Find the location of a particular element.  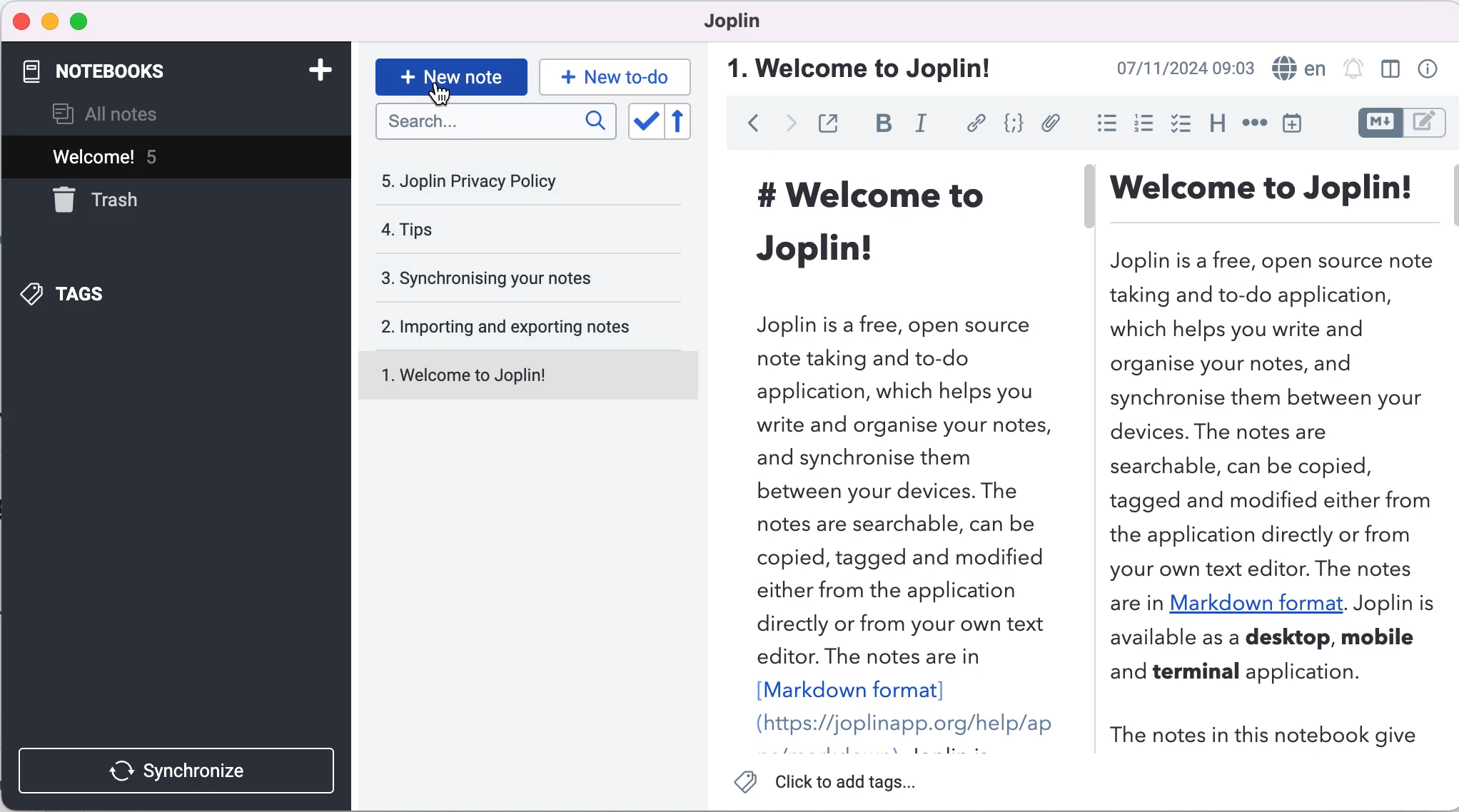

synchronising your notes is located at coordinates (525, 280).